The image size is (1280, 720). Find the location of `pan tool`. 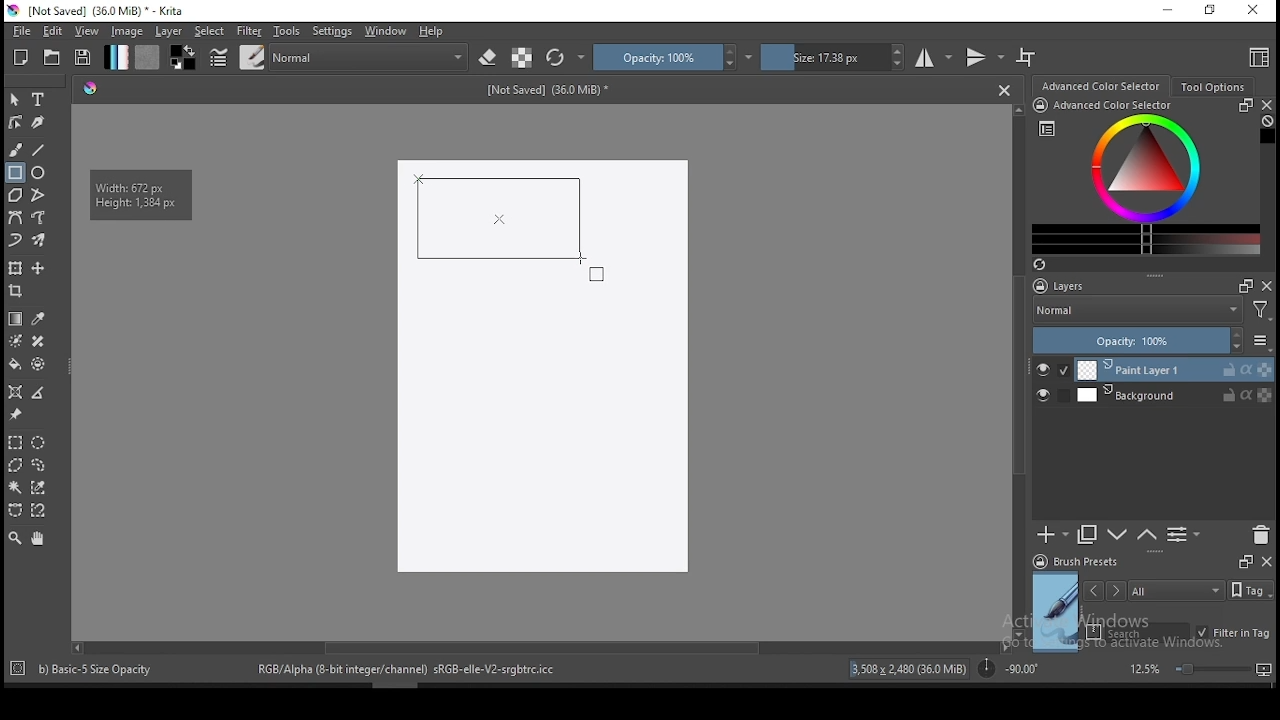

pan tool is located at coordinates (36, 539).